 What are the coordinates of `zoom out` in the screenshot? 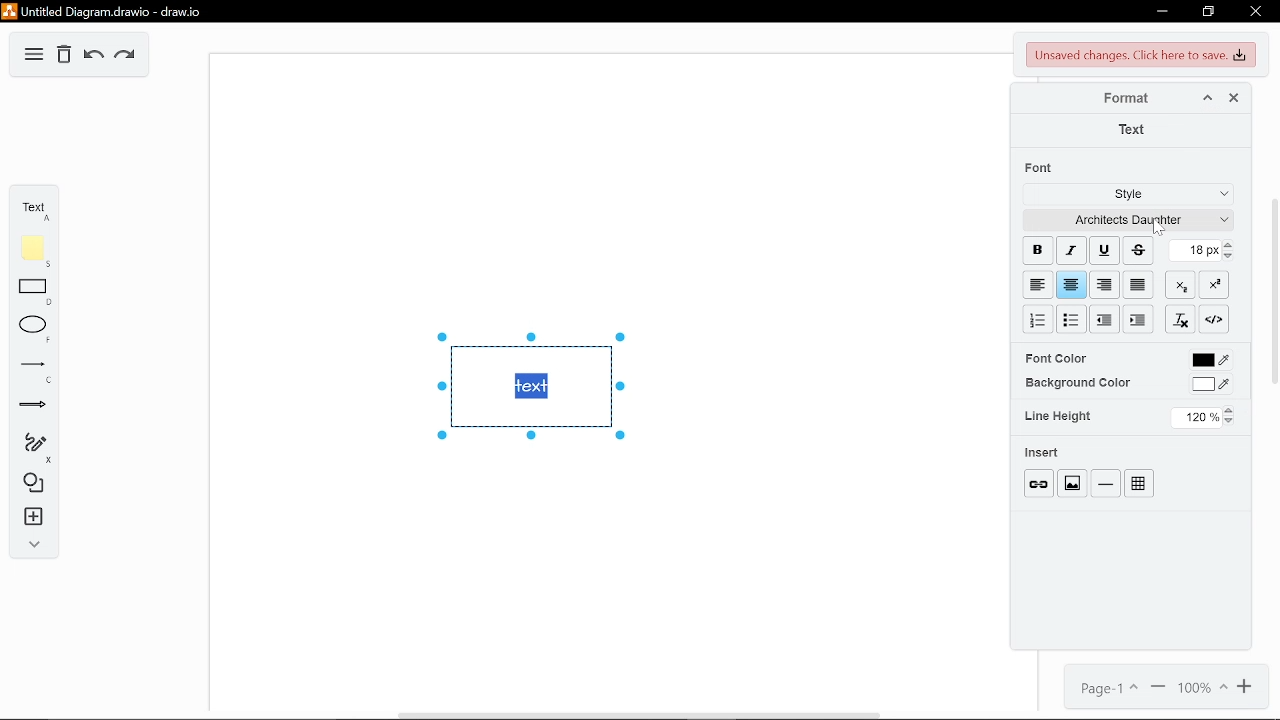 It's located at (1158, 687).